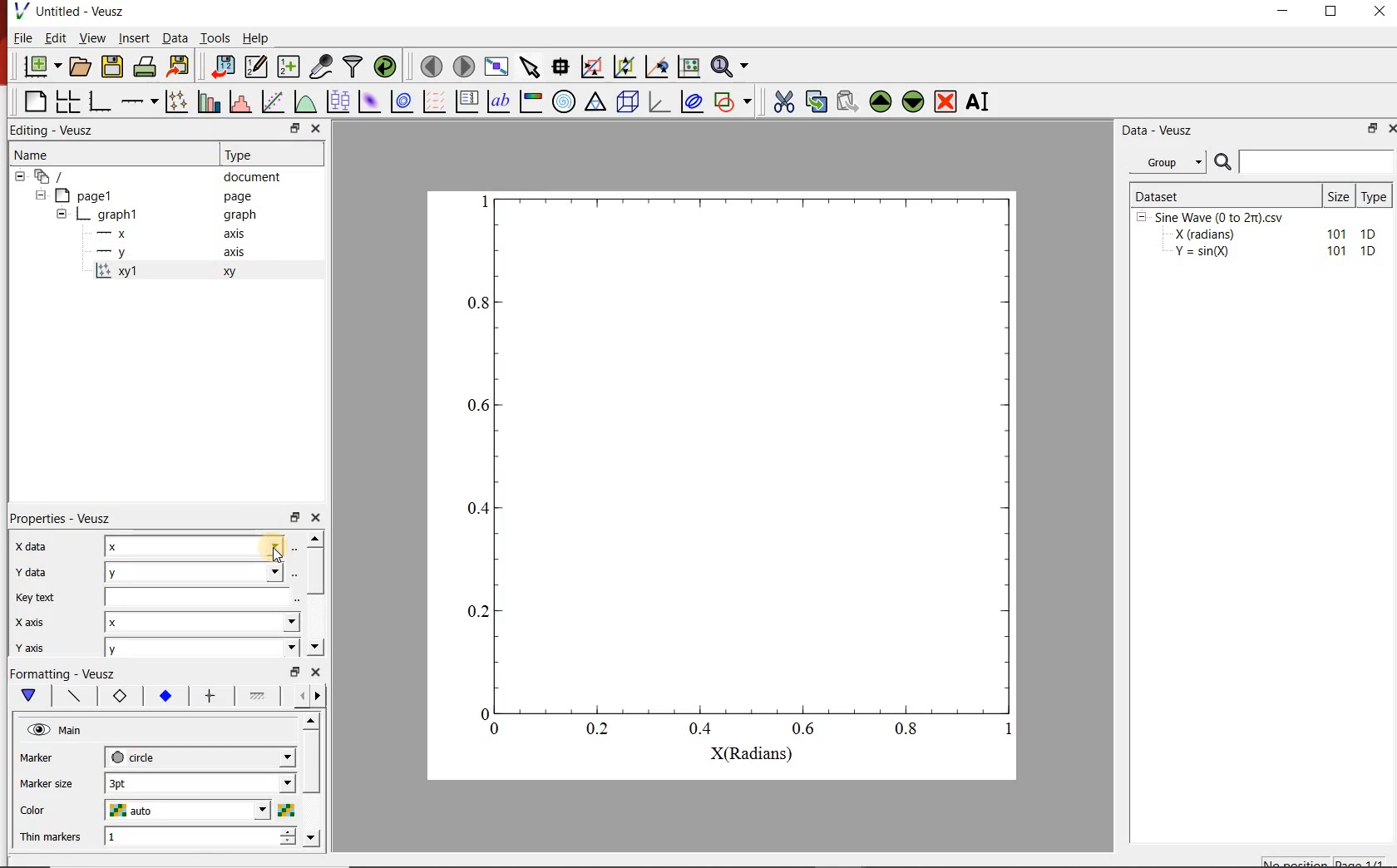  I want to click on Move left, so click(299, 695).